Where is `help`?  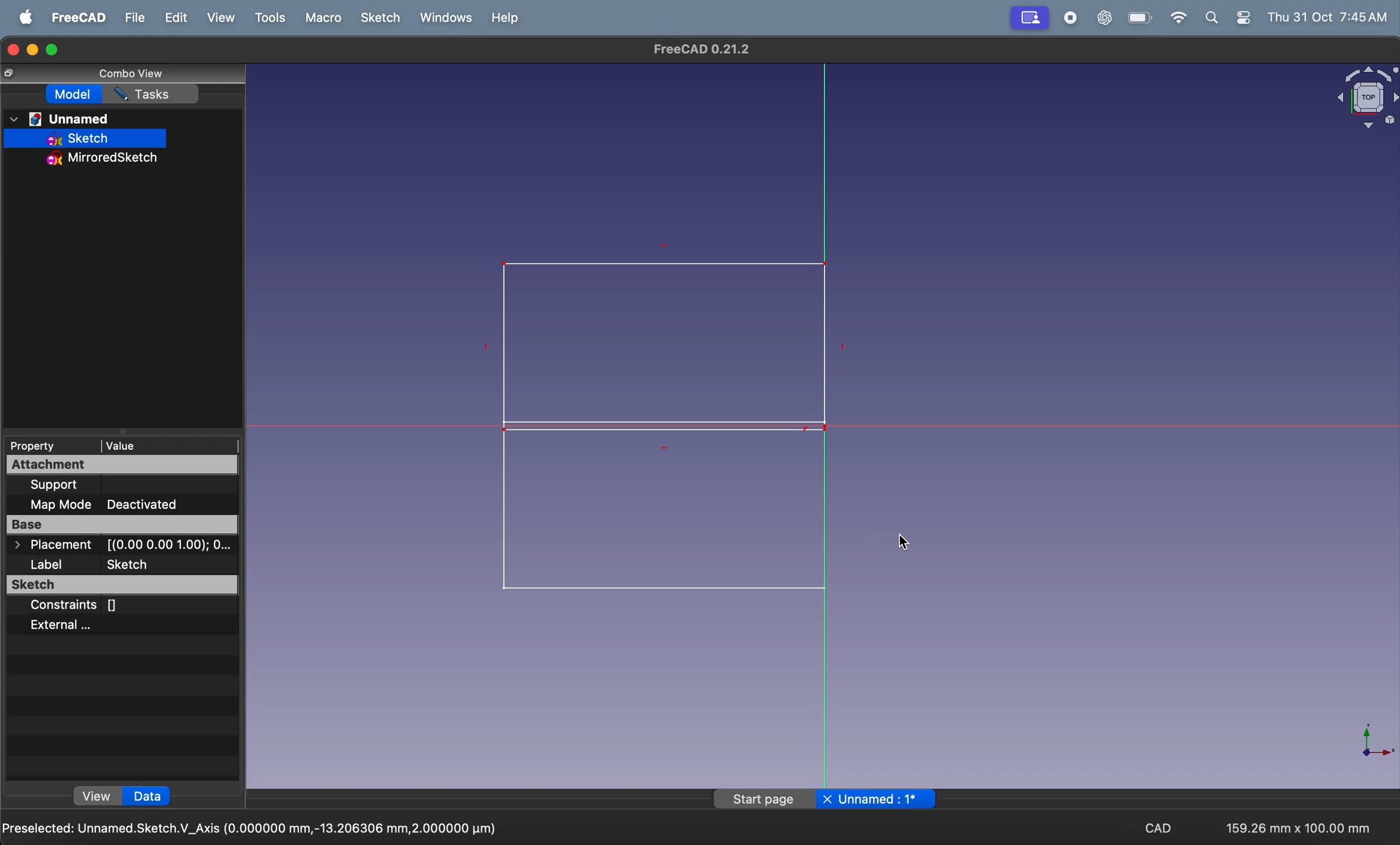
help is located at coordinates (508, 19).